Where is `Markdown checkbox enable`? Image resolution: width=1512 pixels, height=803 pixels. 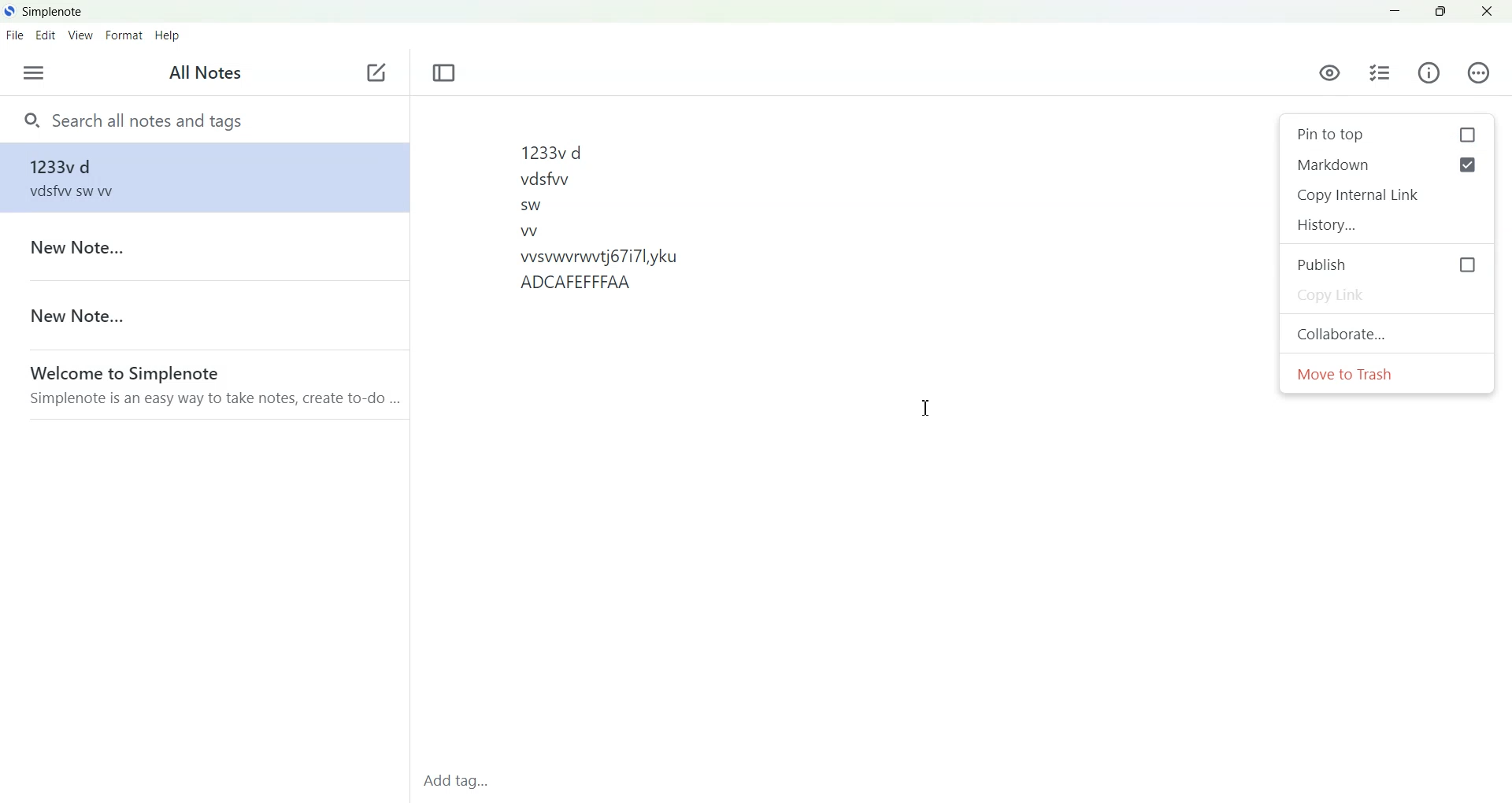
Markdown checkbox enable is located at coordinates (1467, 165).